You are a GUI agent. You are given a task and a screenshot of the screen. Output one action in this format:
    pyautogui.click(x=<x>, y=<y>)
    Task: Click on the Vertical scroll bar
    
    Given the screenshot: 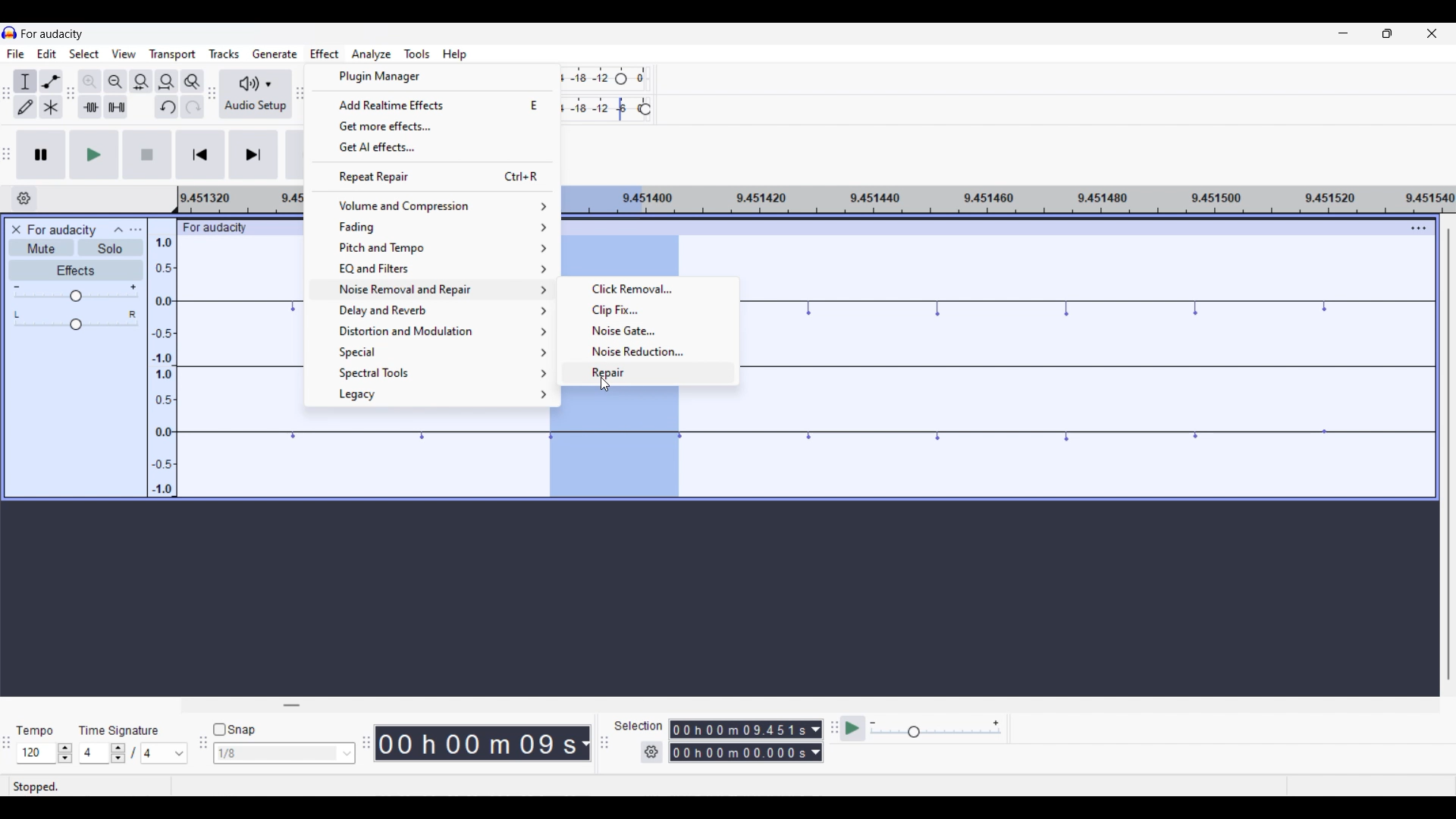 What is the action you would take?
    pyautogui.click(x=1446, y=453)
    